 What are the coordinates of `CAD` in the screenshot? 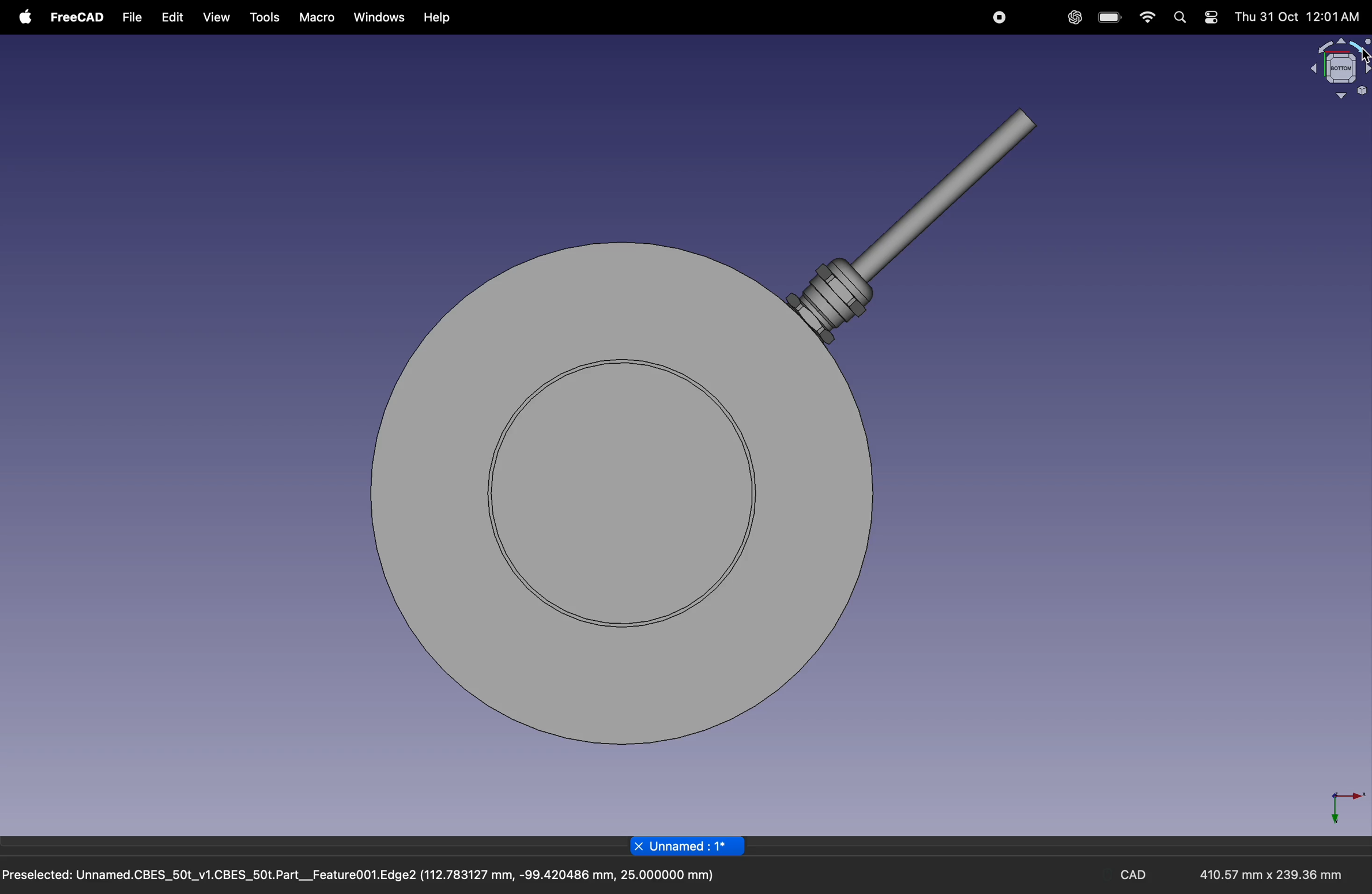 It's located at (1134, 877).